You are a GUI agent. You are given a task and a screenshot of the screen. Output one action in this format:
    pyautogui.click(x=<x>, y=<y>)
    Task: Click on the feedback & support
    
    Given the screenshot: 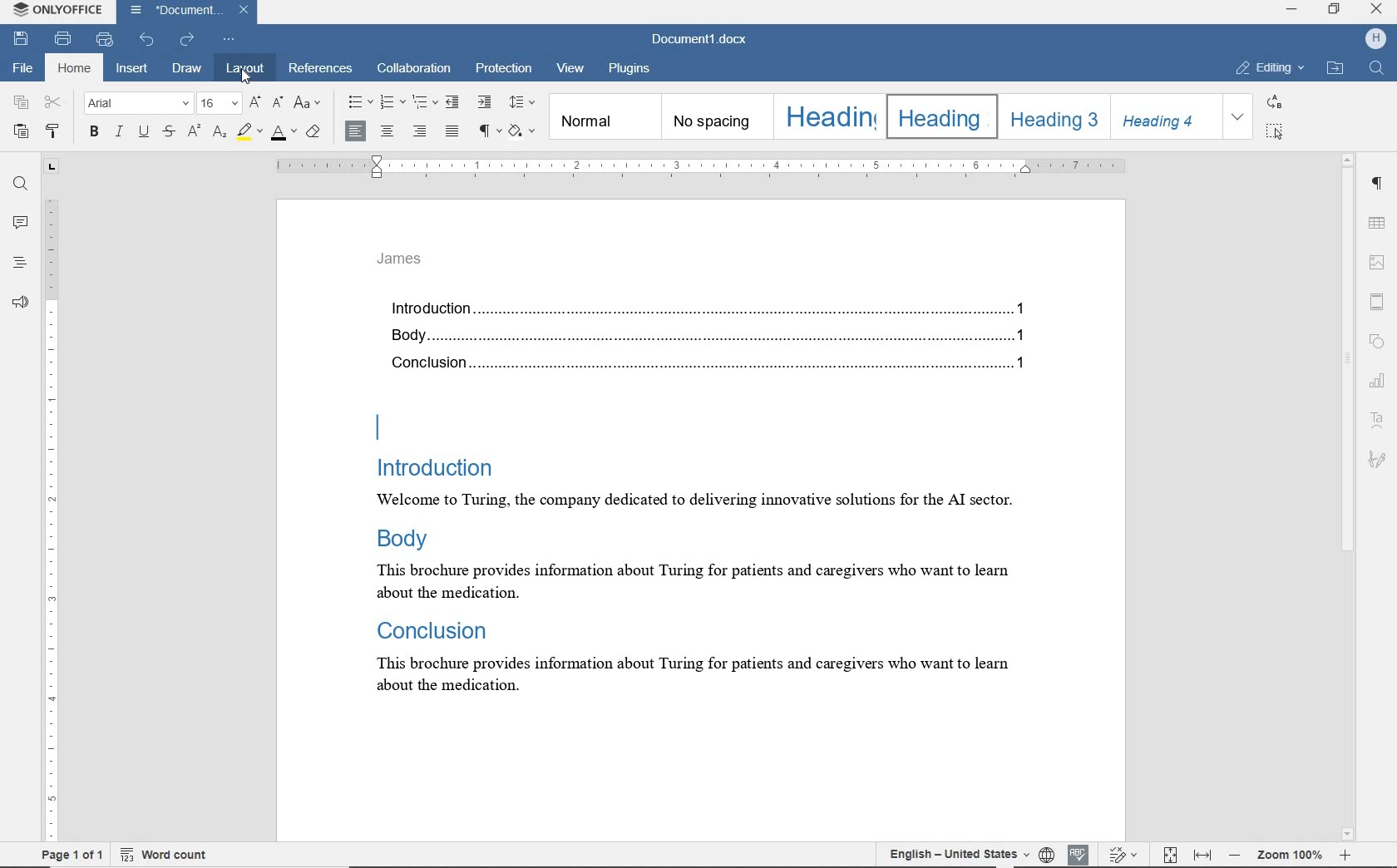 What is the action you would take?
    pyautogui.click(x=19, y=303)
    